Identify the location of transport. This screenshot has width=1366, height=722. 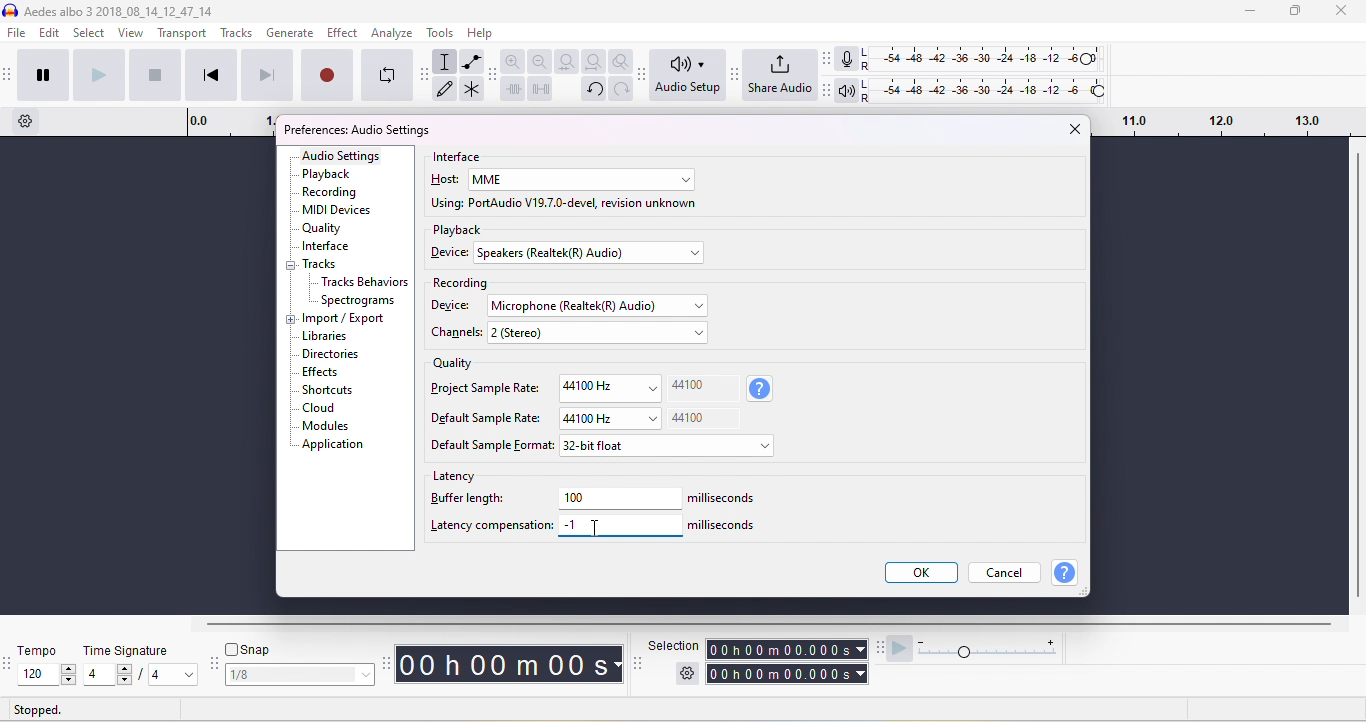
(183, 34).